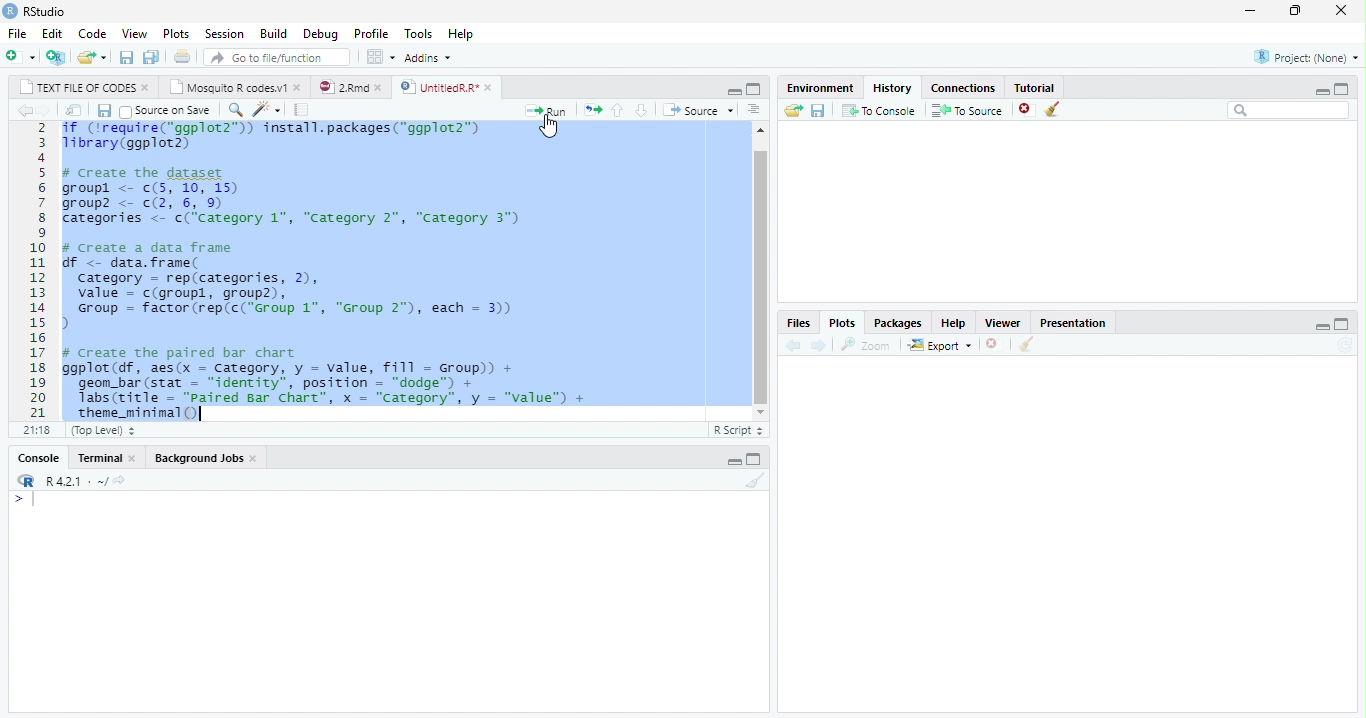 This screenshot has height=718, width=1366. Describe the element at coordinates (347, 271) in the screenshot. I see `if (treguire(“ggplot2™)) install.packages("ggplot2™)Tibrary(ggplot2)# Create the datasetgroupl <- c(5, 10, 15)group? <- c(2, 6, 9)Categories <- c(‘Category 1", “Category 2", “Category 3")# Create a data framedf <- data. frame(category = rep(categories, 2),value = c(groupl, group2),Group = factor (rep(c("Group 1", “Group 2°), each = 3))># Create the paired bar chartggplot (df, aes(x = Category, y = value, fill = Group) +geom_bar (stat = “identity”, position = "dodge™) +Tabs (title = "Paired Bar Chart”, x = “Category”, y = “value") +theme_minimal()` at that location.